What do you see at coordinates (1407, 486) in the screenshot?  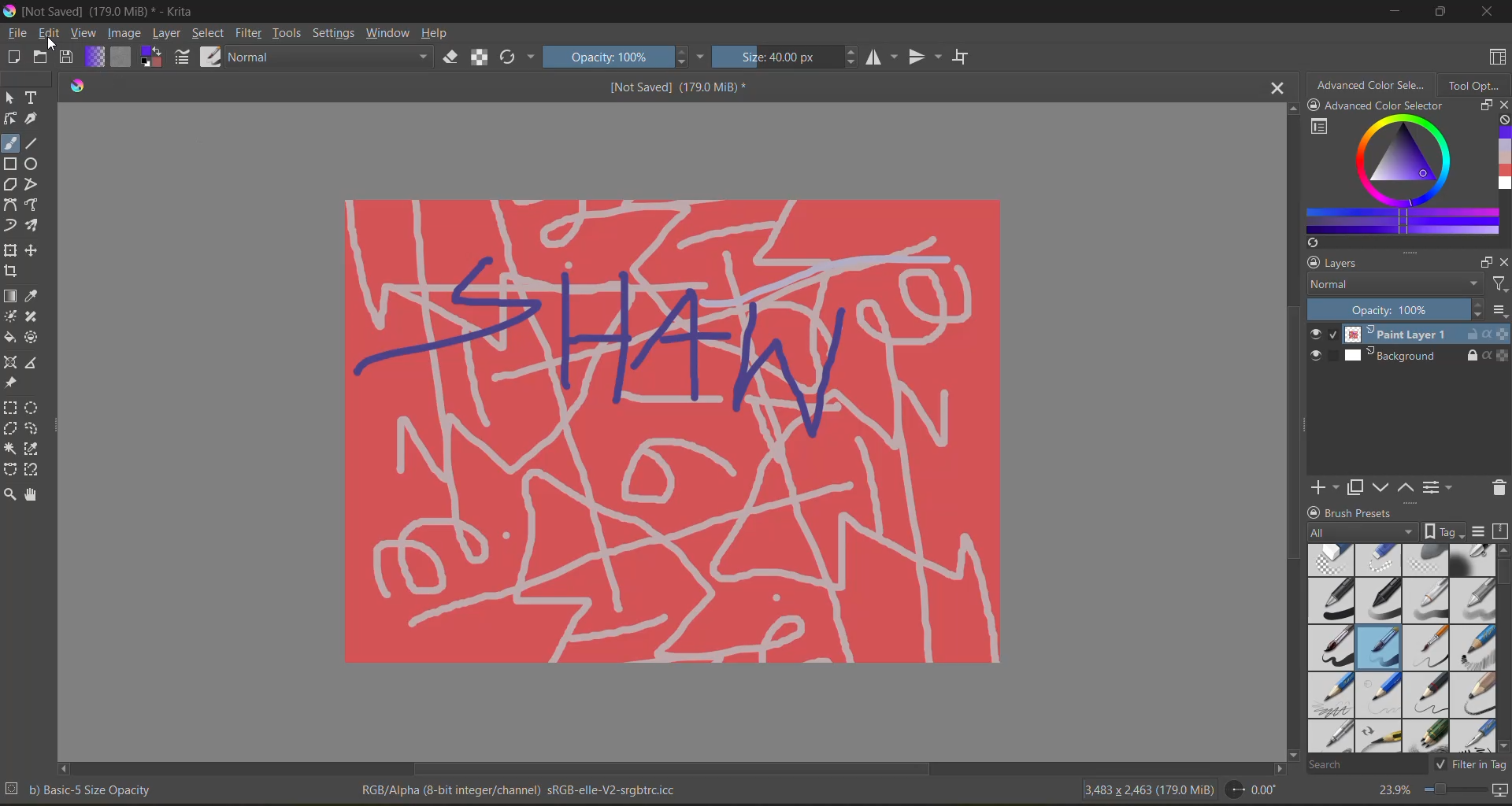 I see `mask up` at bounding box center [1407, 486].